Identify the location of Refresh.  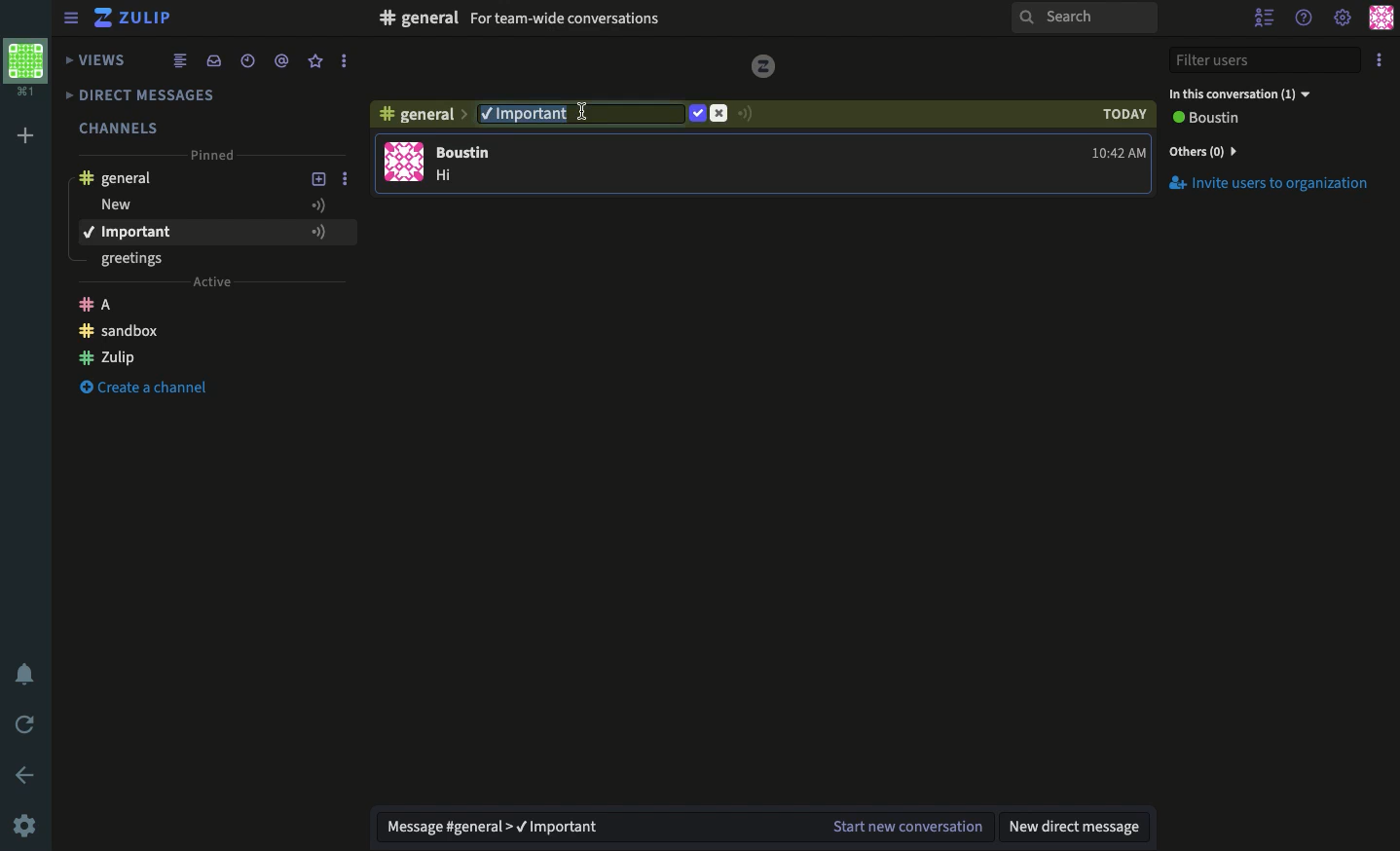
(27, 724).